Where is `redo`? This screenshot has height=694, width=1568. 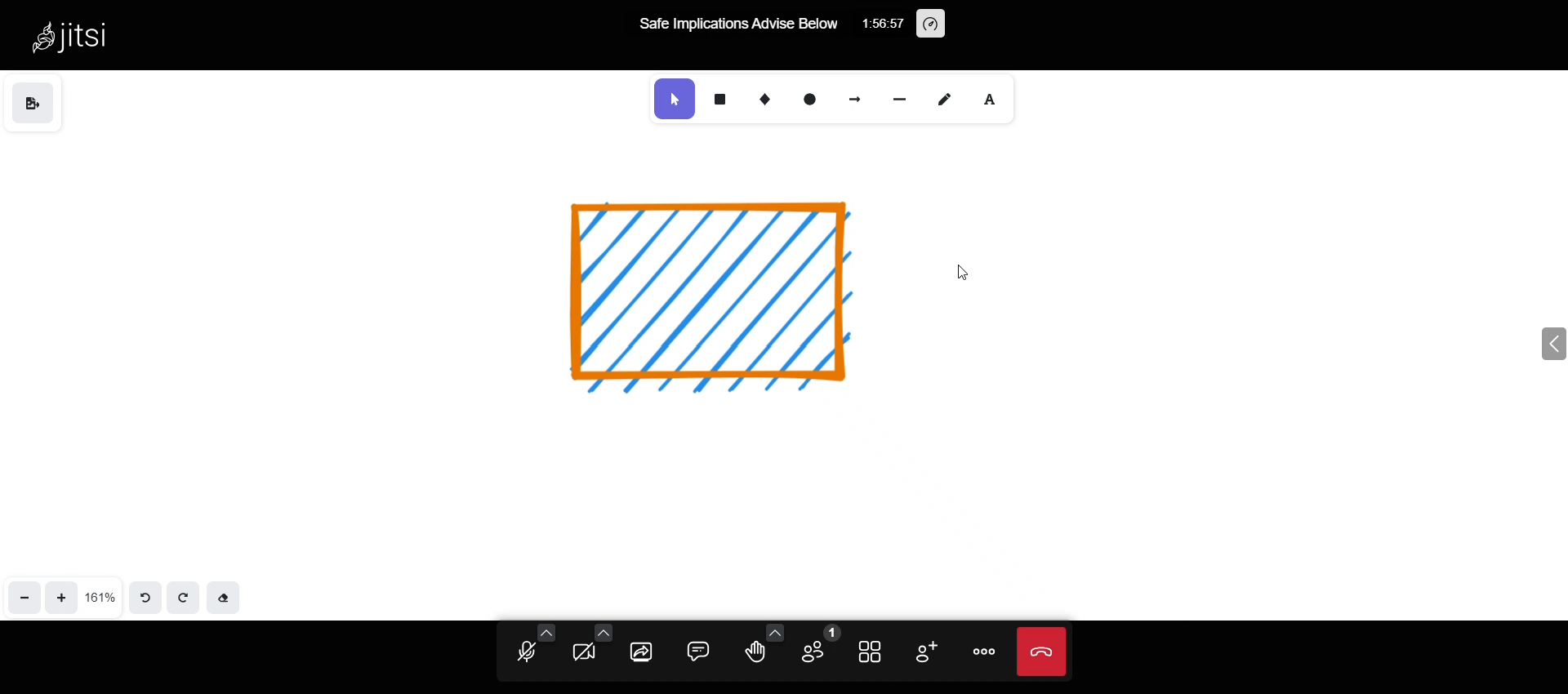 redo is located at coordinates (185, 593).